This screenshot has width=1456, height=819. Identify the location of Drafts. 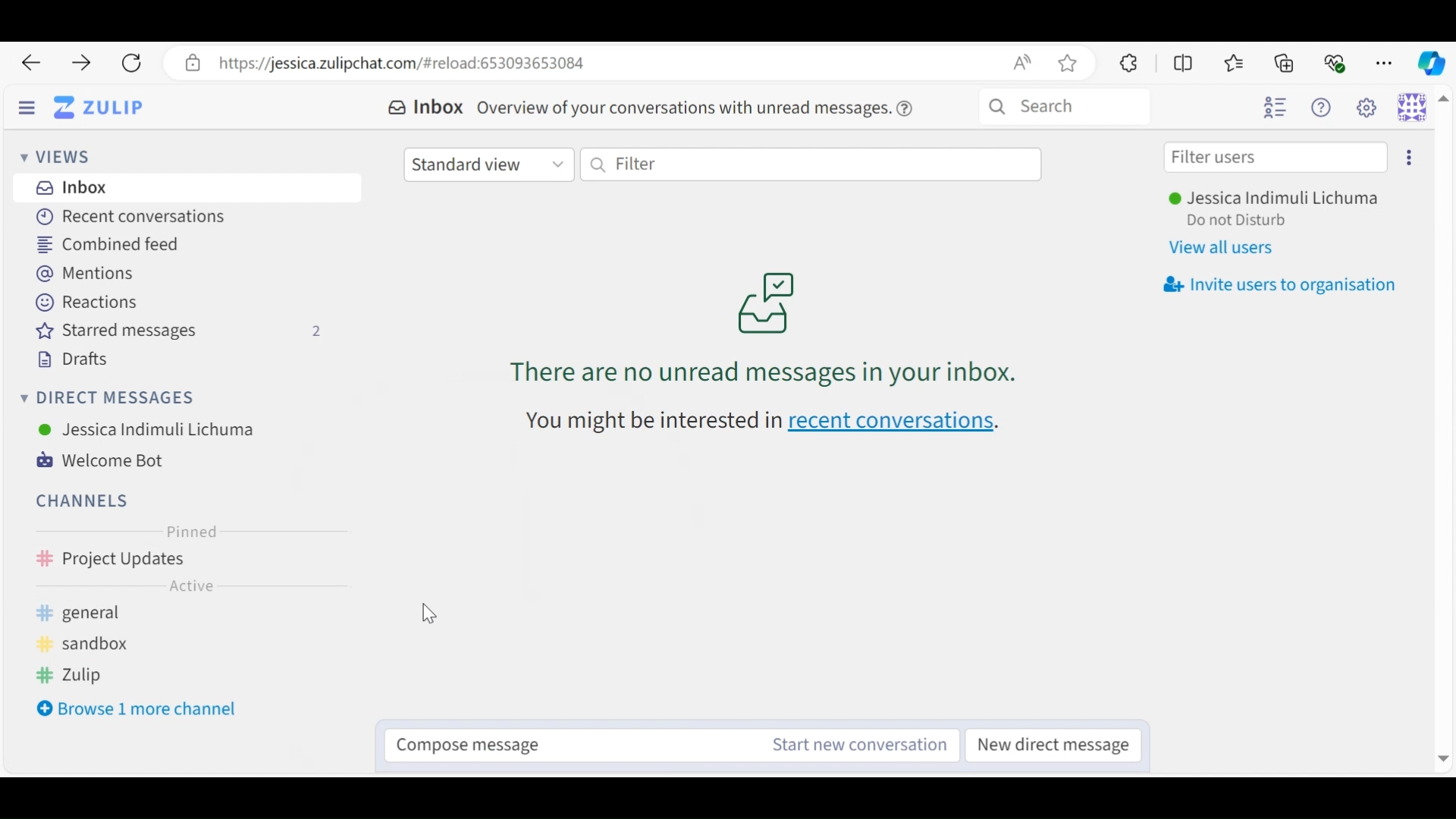
(71, 359).